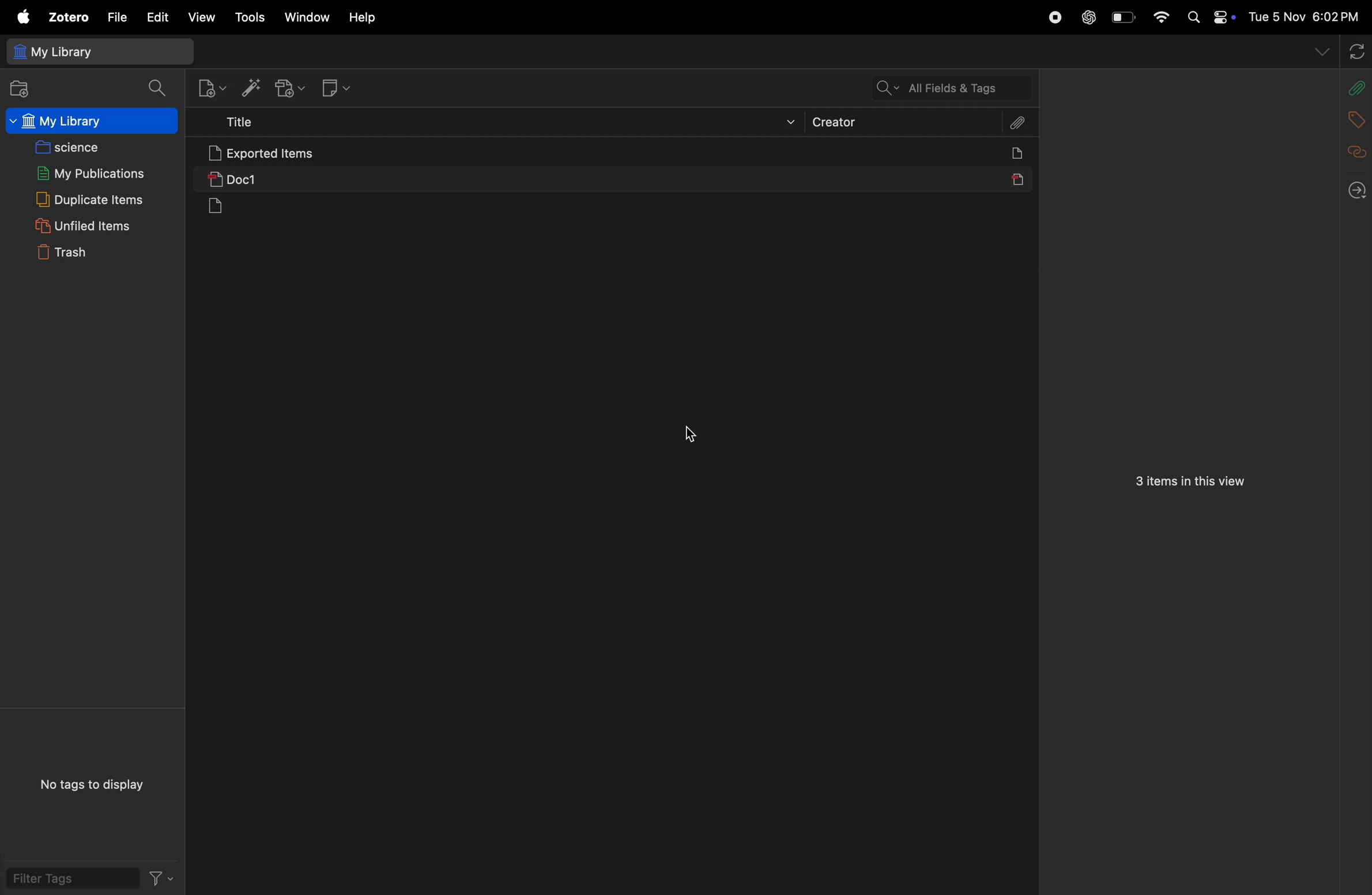 The width and height of the screenshot is (1372, 895). What do you see at coordinates (687, 433) in the screenshot?
I see `cursor` at bounding box center [687, 433].